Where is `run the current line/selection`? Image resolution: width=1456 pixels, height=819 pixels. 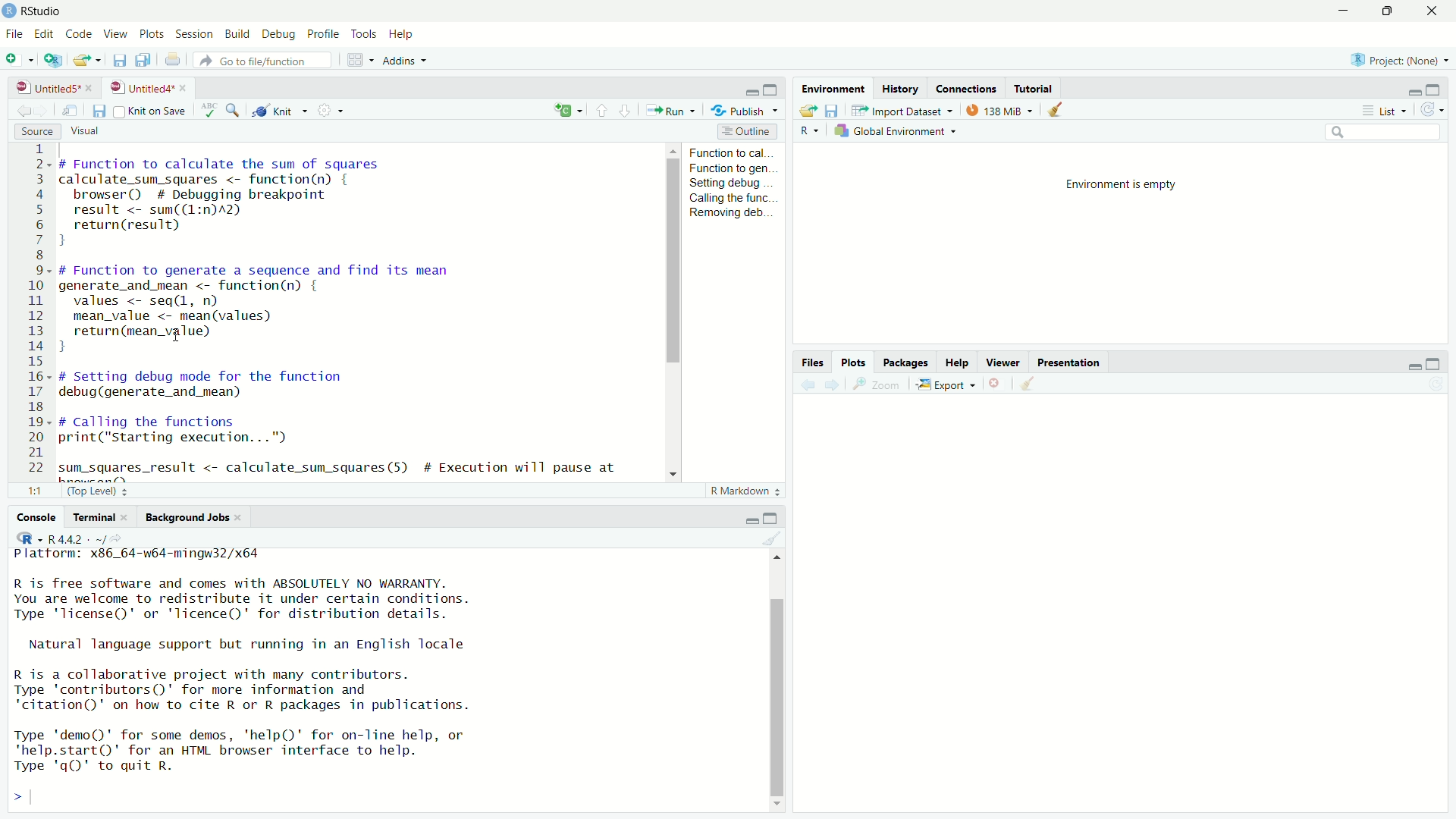 run the current line/selection is located at coordinates (673, 110).